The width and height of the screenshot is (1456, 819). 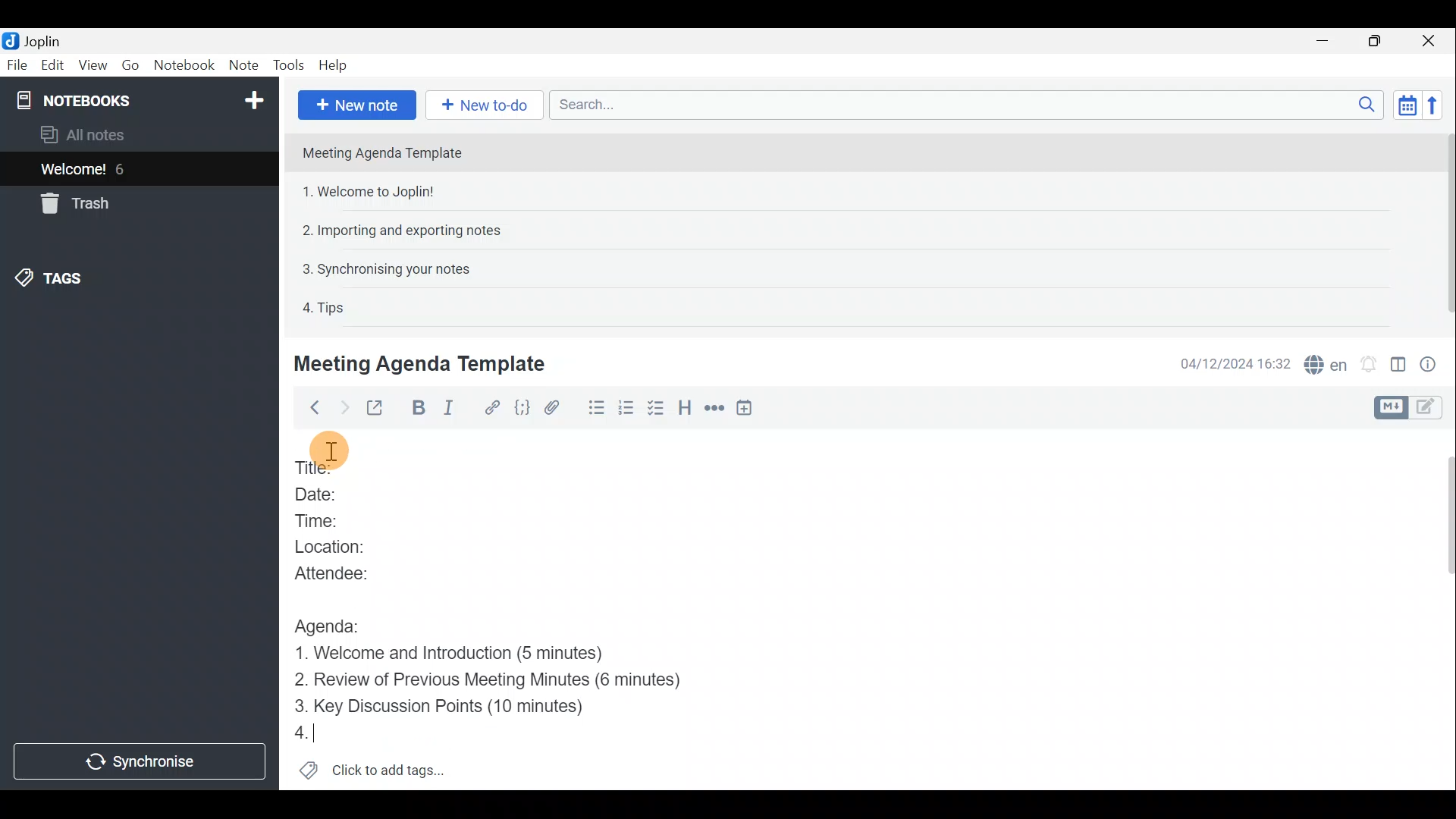 What do you see at coordinates (1432, 105) in the screenshot?
I see `Reverse sort order` at bounding box center [1432, 105].